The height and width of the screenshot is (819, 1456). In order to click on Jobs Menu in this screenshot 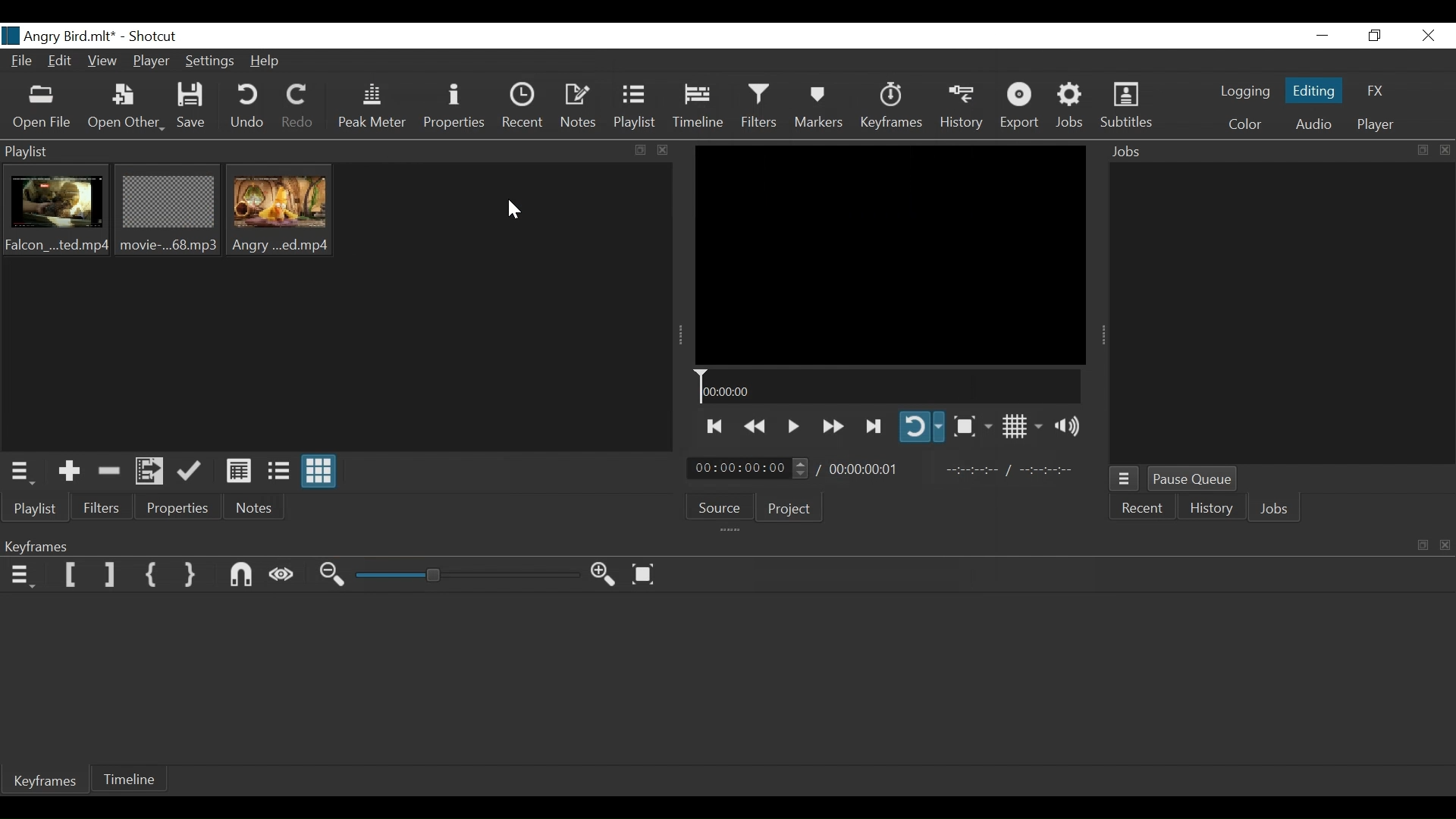, I will do `click(1128, 479)`.